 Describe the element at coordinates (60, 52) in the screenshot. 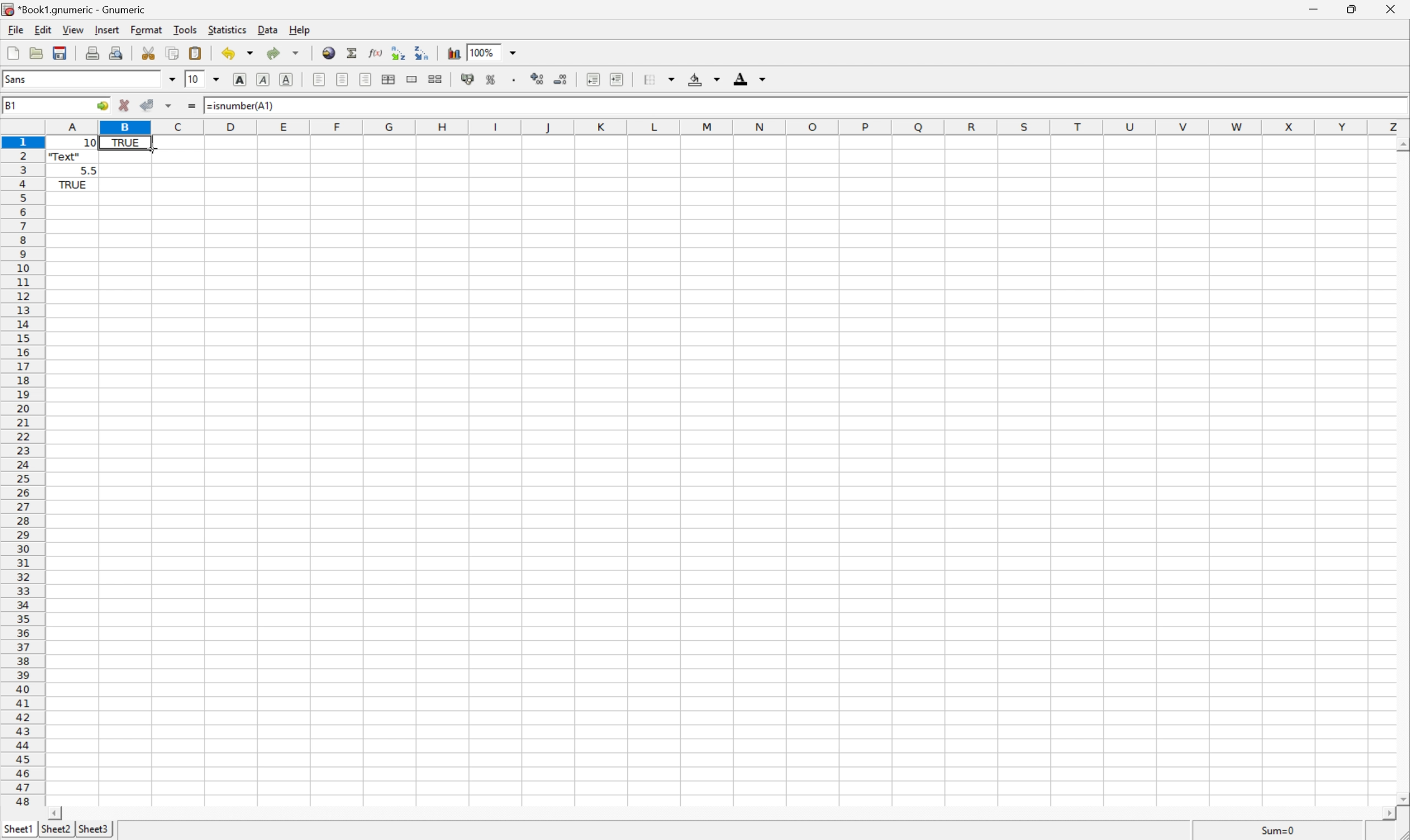

I see `Save current workbook` at that location.